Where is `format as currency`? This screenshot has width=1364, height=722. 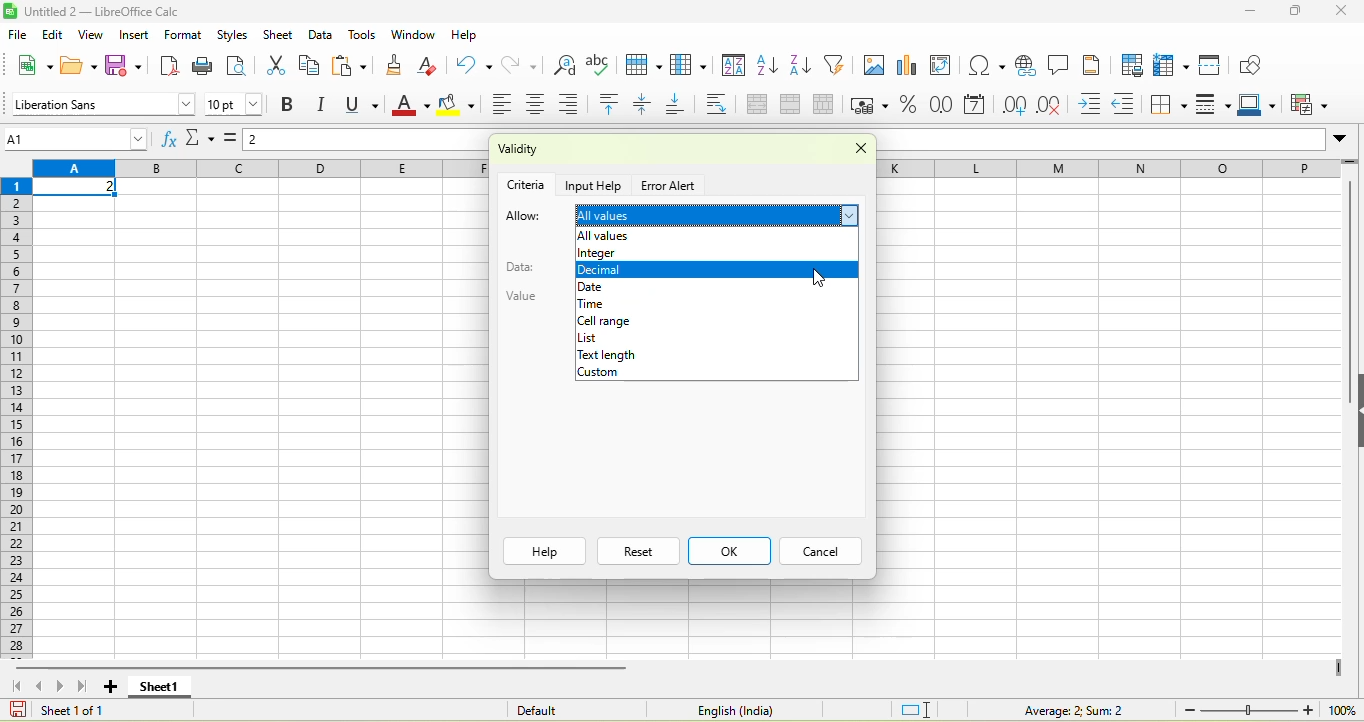 format as currency is located at coordinates (871, 105).